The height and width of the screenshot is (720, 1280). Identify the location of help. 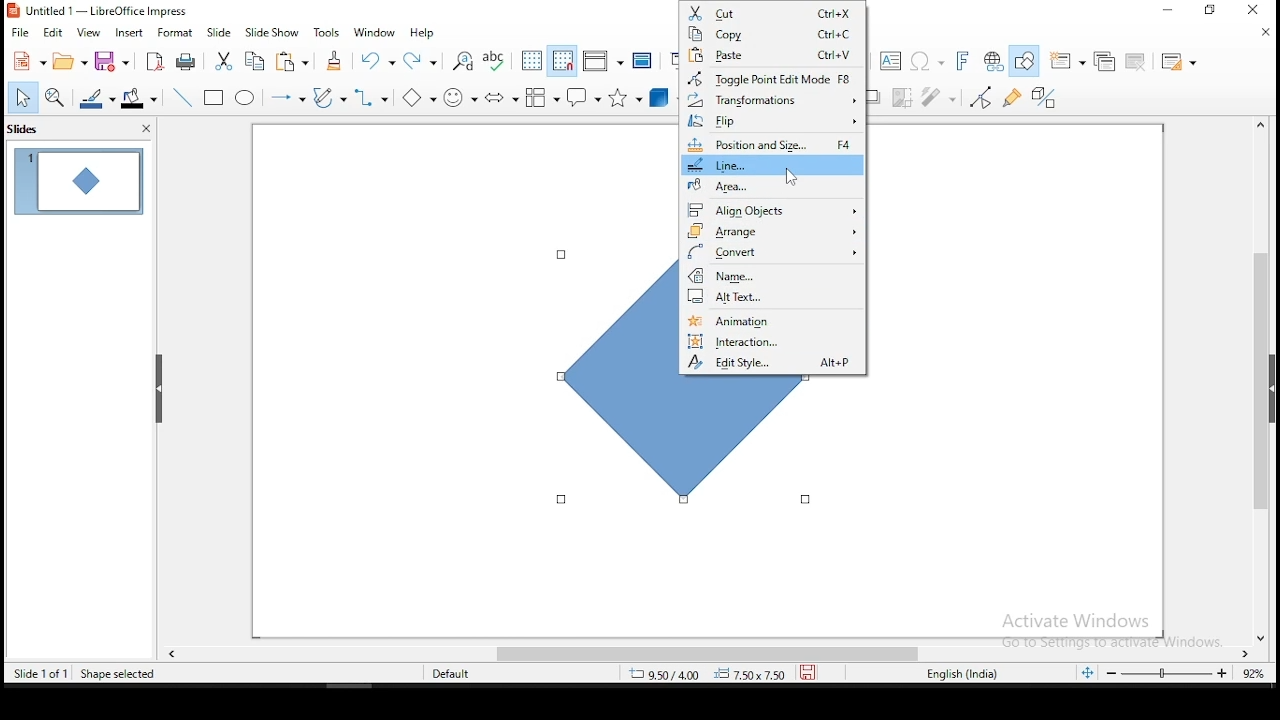
(423, 34).